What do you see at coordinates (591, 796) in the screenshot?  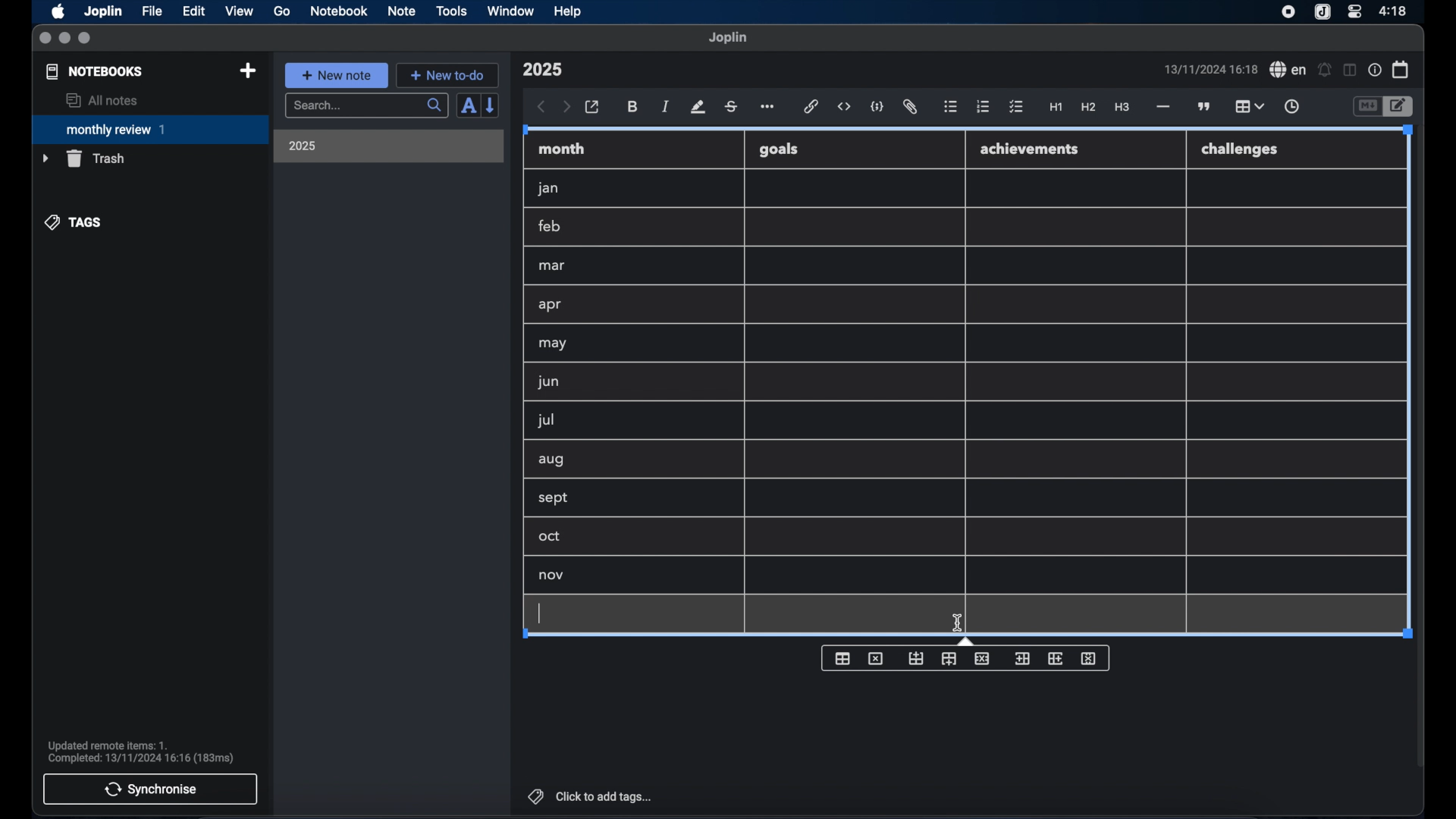 I see `click to add tags` at bounding box center [591, 796].